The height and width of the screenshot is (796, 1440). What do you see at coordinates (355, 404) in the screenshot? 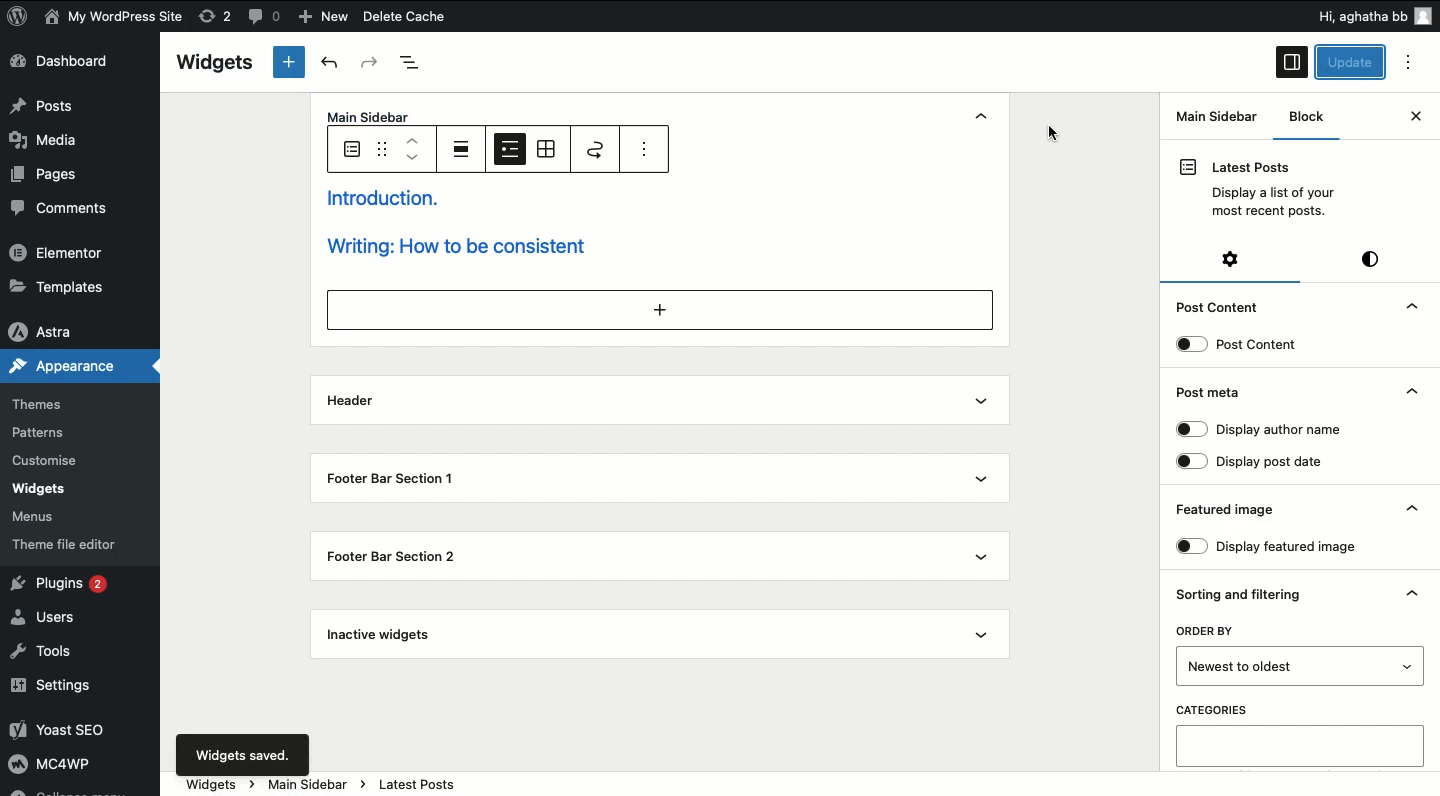
I see `Header` at bounding box center [355, 404].